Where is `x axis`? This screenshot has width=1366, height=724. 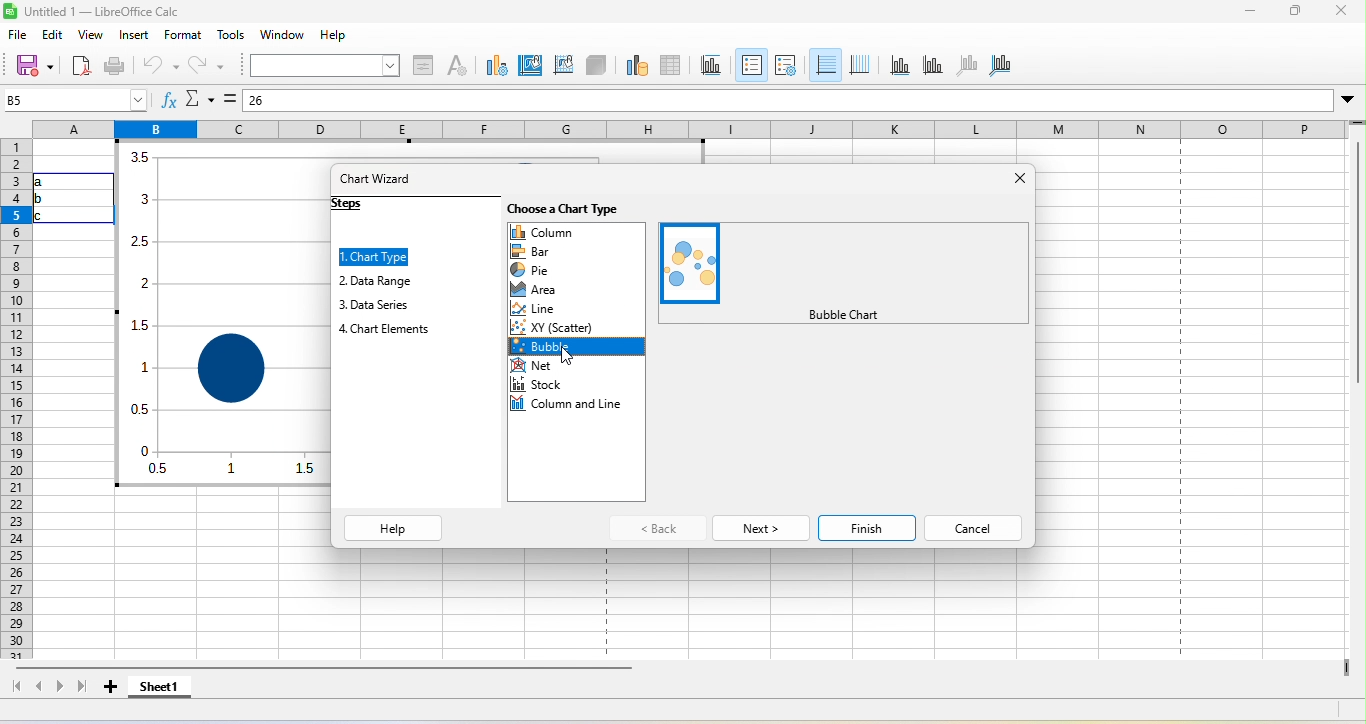 x axis is located at coordinates (896, 66).